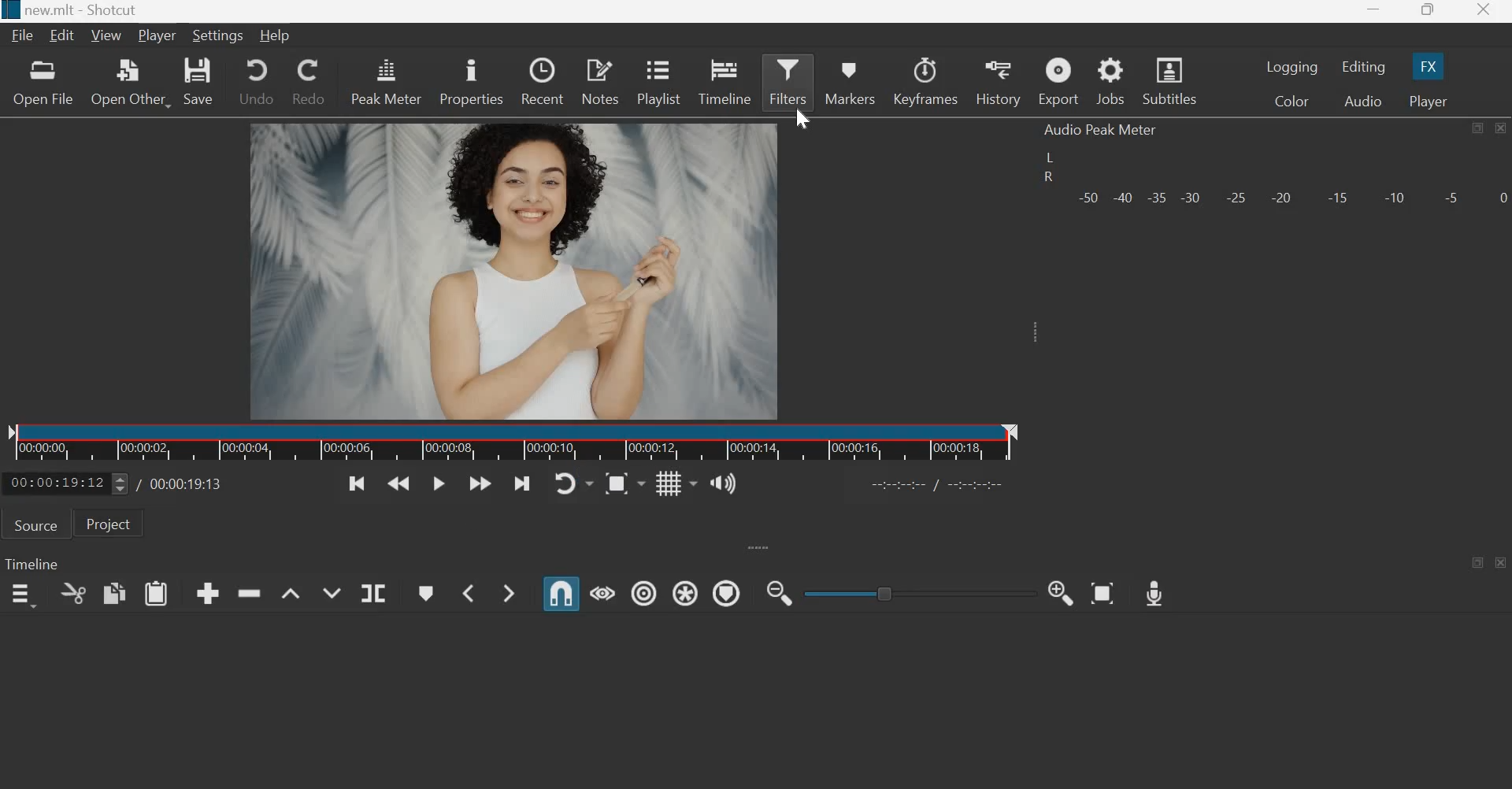 Image resolution: width=1512 pixels, height=789 pixels. I want to click on Next Marker, so click(509, 591).